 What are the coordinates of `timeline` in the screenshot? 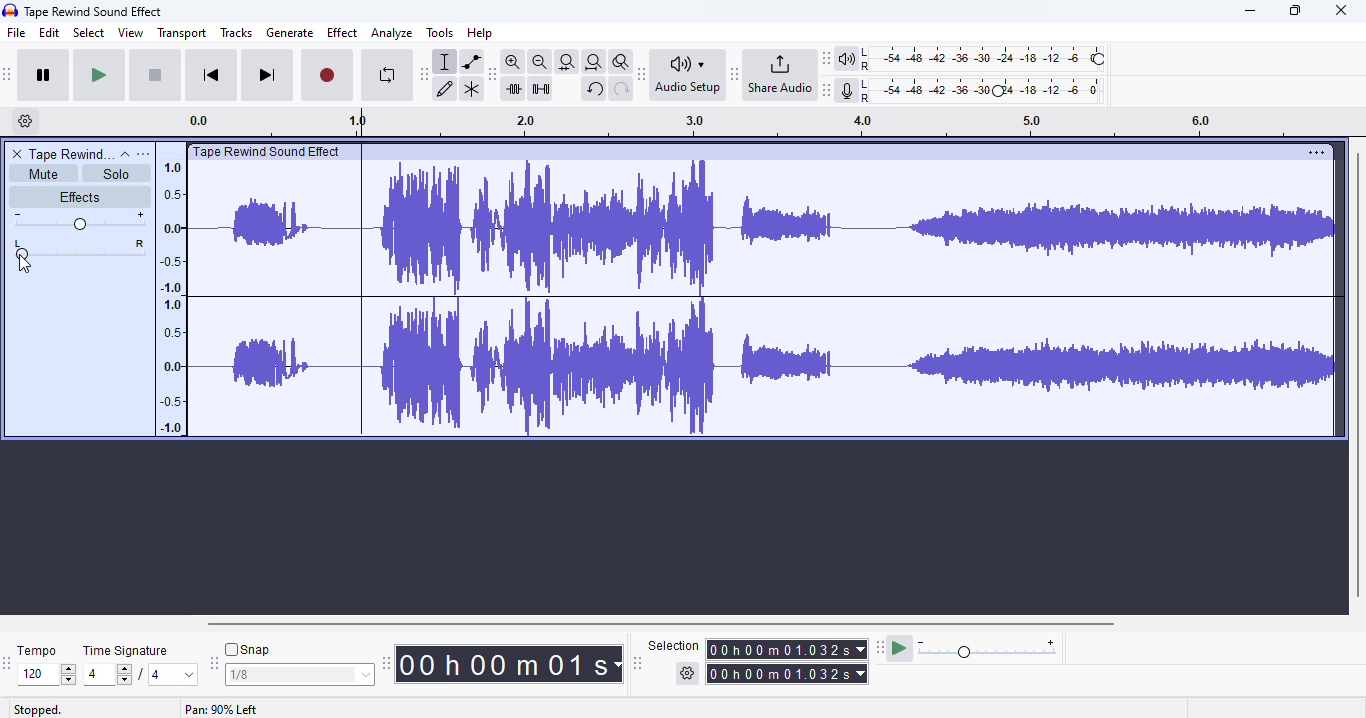 It's located at (170, 296).